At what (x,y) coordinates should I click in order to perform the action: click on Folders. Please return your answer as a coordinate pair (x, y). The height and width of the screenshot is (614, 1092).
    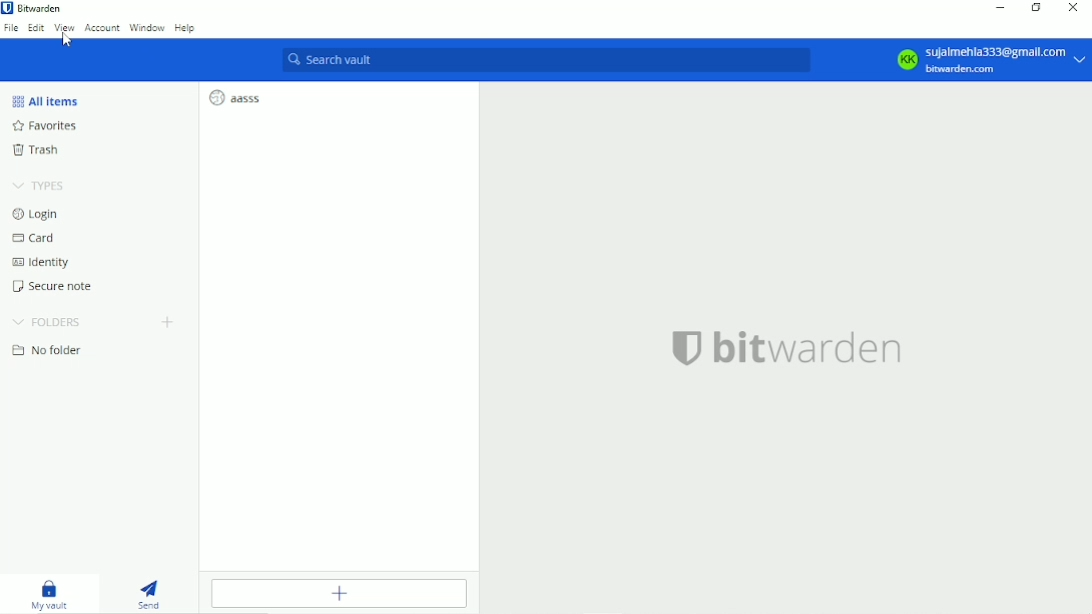
    Looking at the image, I should click on (47, 320).